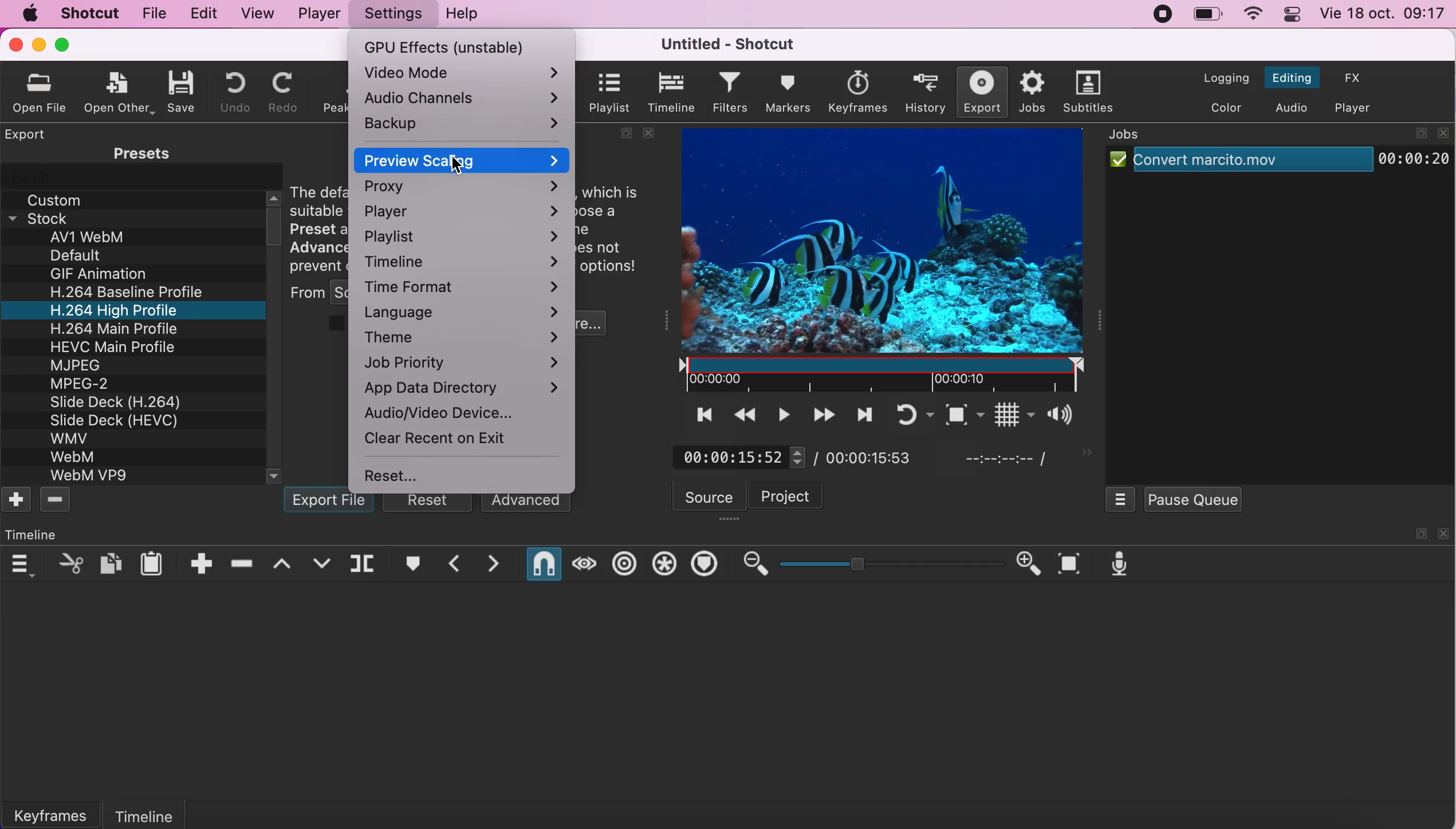  Describe the element at coordinates (466, 99) in the screenshot. I see `audio channels` at that location.